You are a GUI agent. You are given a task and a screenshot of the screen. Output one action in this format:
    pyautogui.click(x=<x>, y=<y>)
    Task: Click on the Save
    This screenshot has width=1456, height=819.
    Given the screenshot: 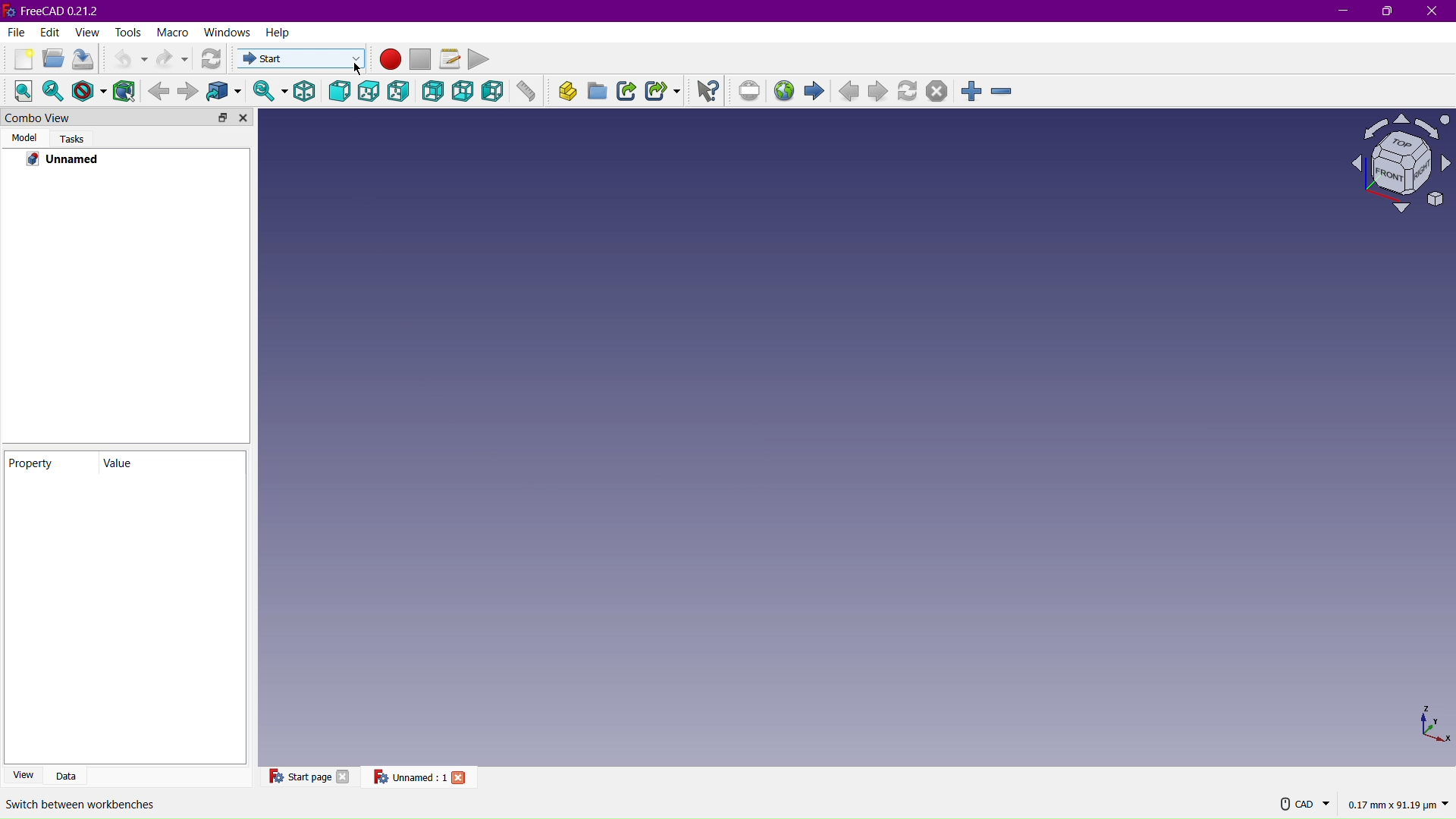 What is the action you would take?
    pyautogui.click(x=82, y=60)
    